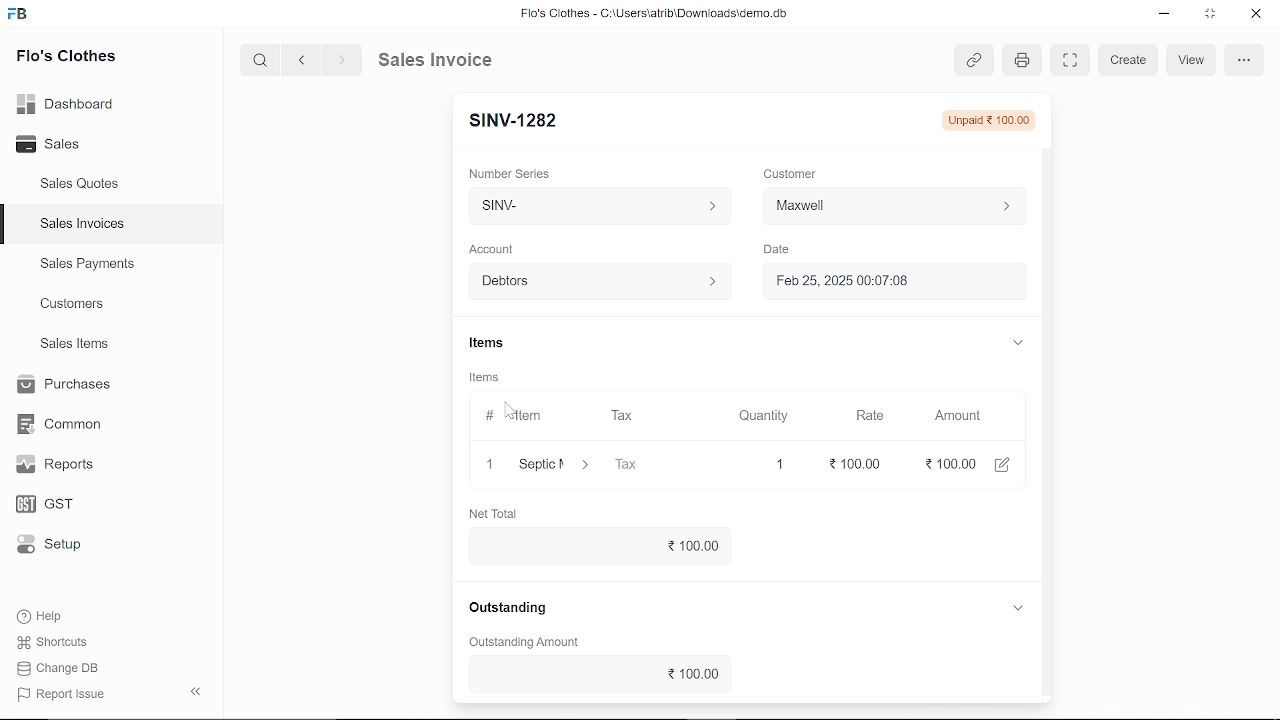 The image size is (1280, 720). What do you see at coordinates (550, 465) in the screenshot?
I see `septic maintenance` at bounding box center [550, 465].